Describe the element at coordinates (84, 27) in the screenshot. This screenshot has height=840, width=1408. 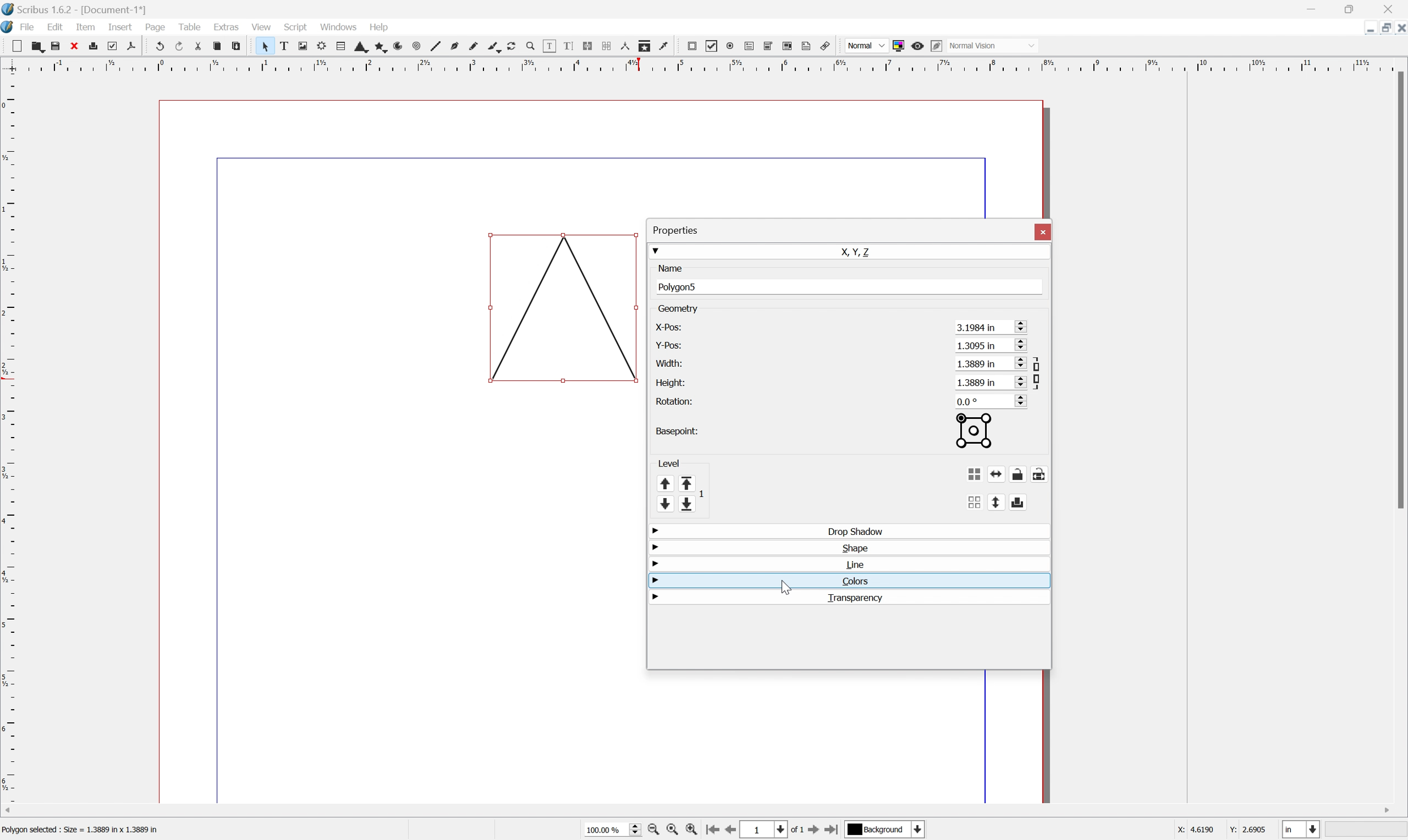
I see `Item` at that location.